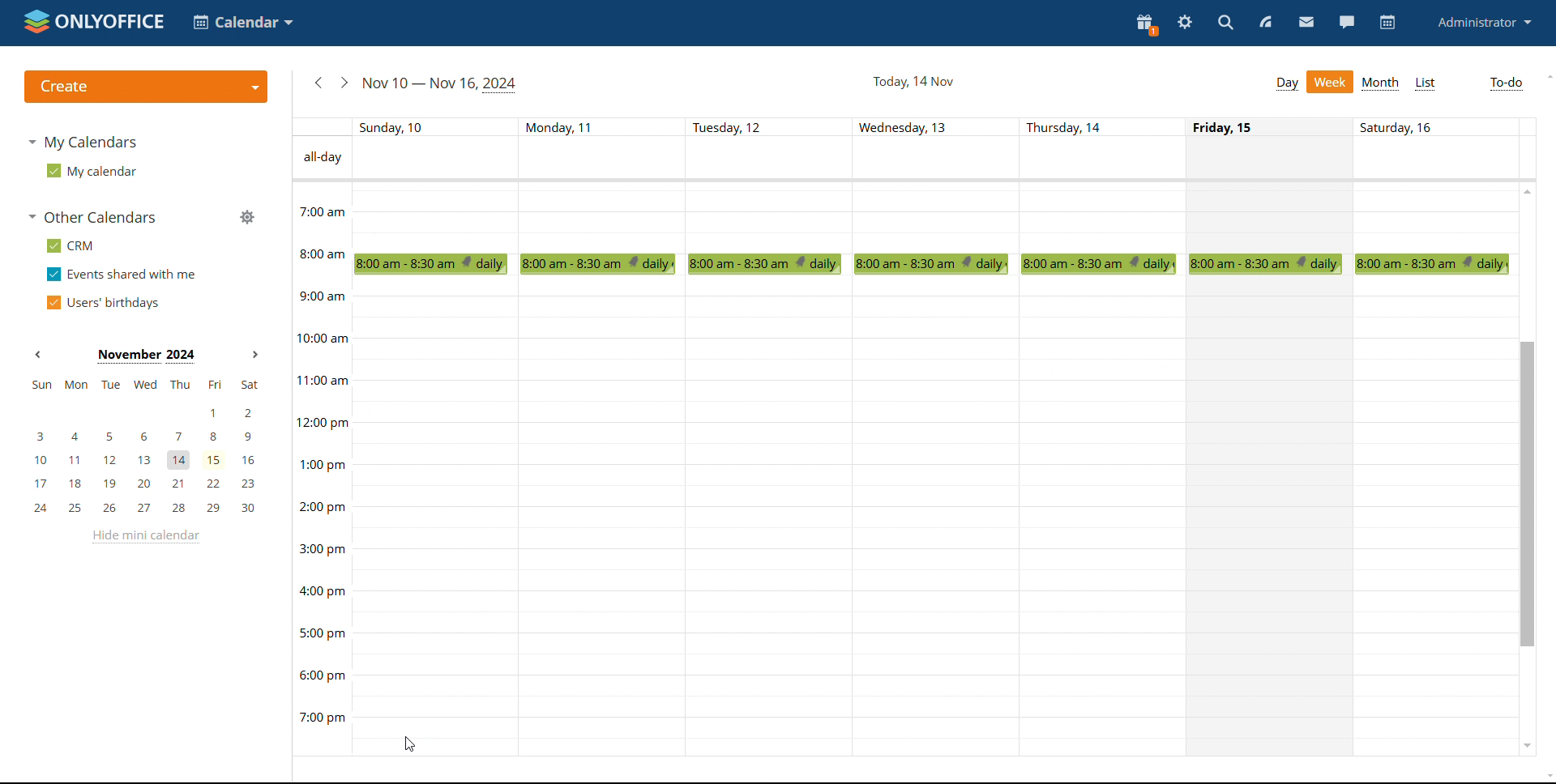  What do you see at coordinates (89, 171) in the screenshot?
I see `my calendar` at bounding box center [89, 171].